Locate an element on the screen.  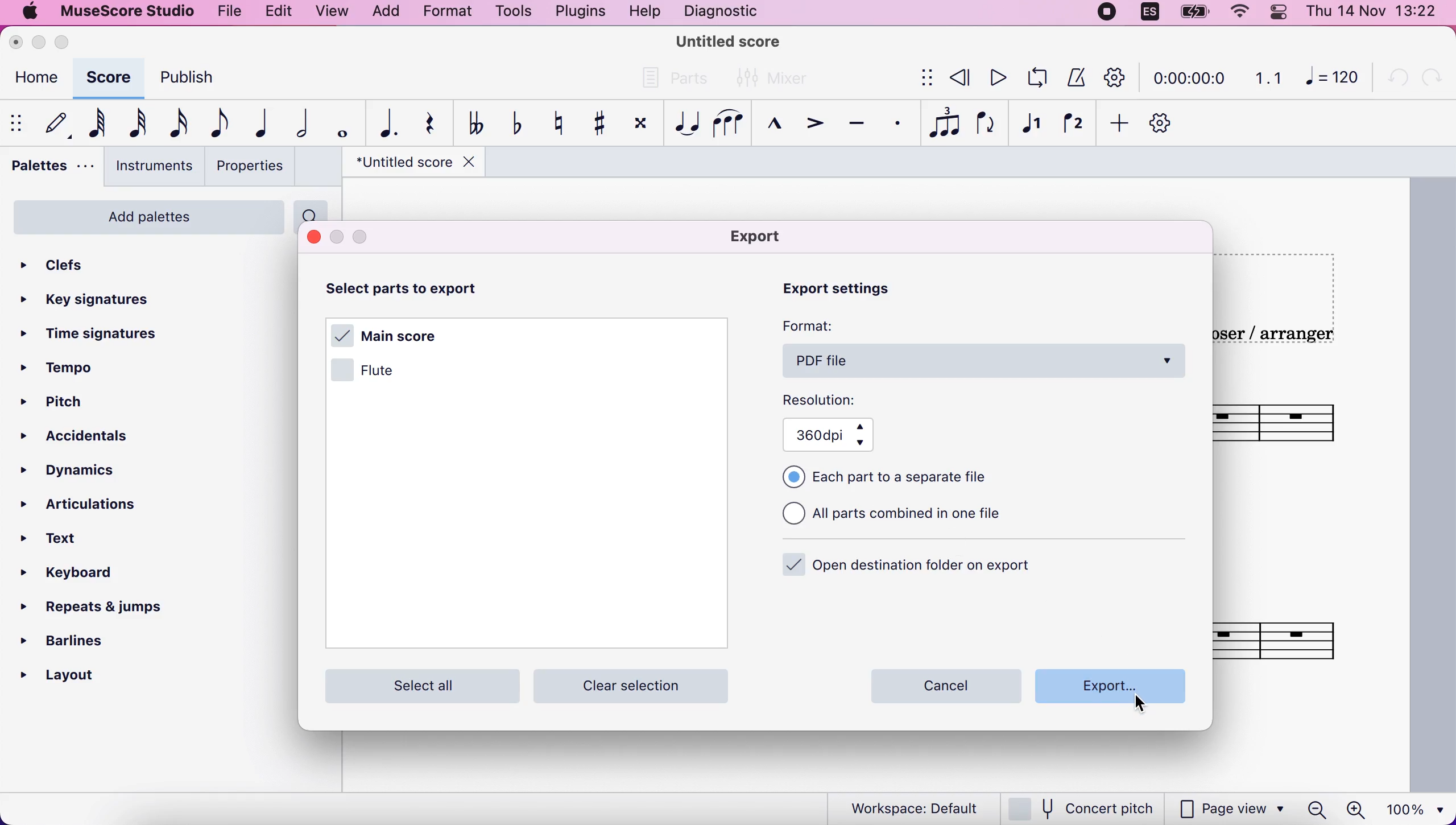
publish is located at coordinates (192, 76).